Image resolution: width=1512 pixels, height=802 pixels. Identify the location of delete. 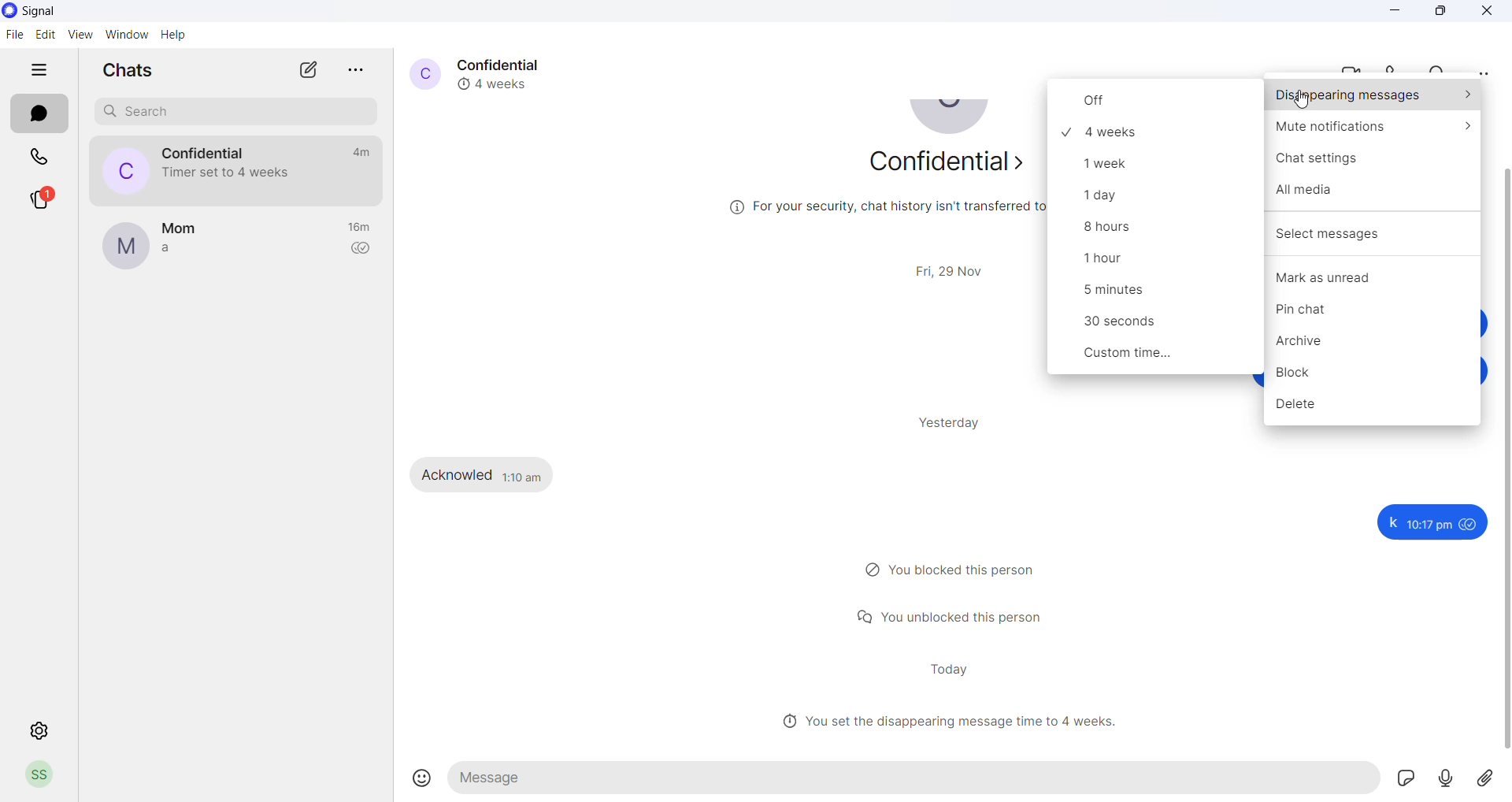
(1371, 410).